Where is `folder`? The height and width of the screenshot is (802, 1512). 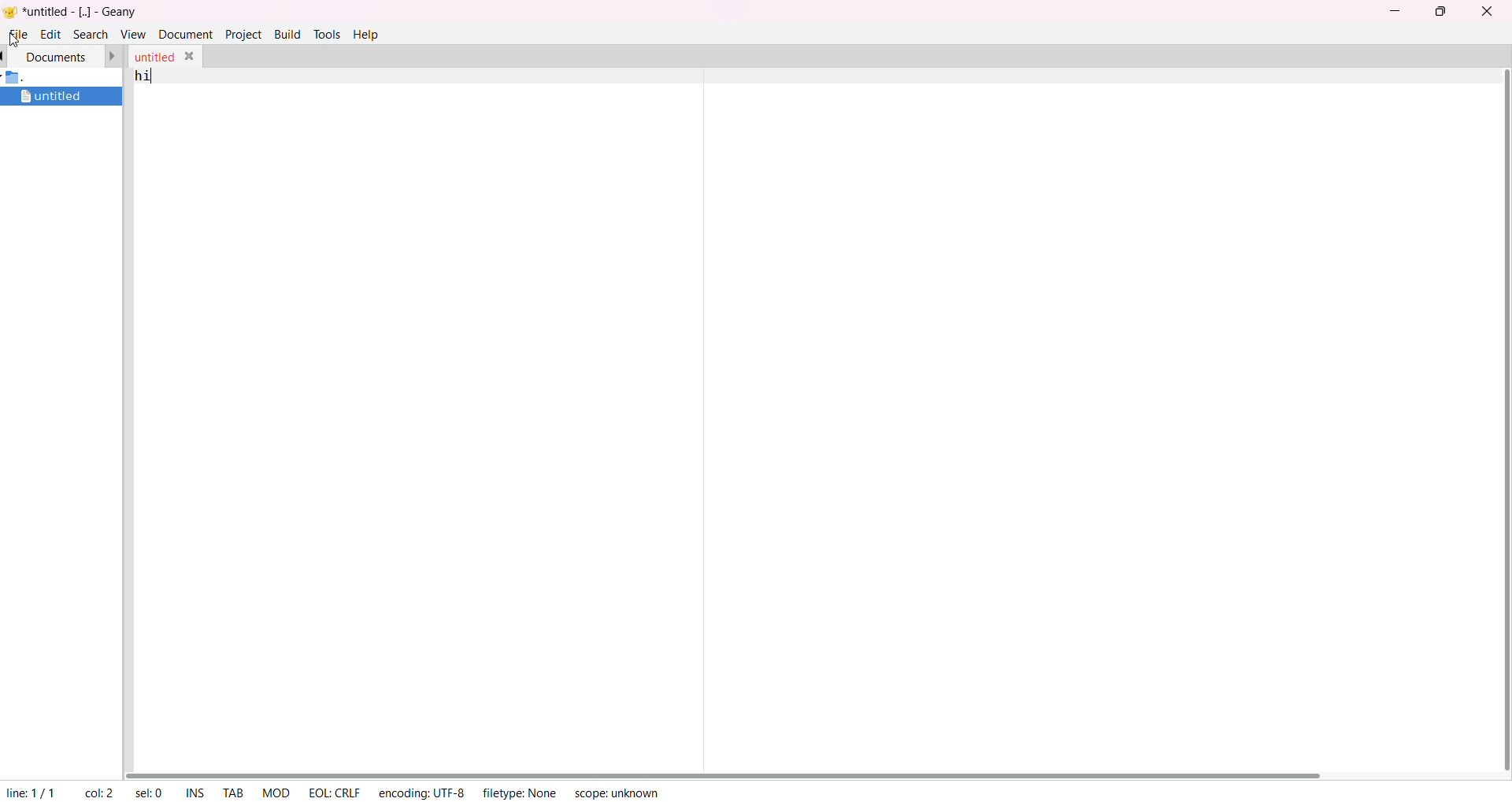
folder is located at coordinates (22, 79).